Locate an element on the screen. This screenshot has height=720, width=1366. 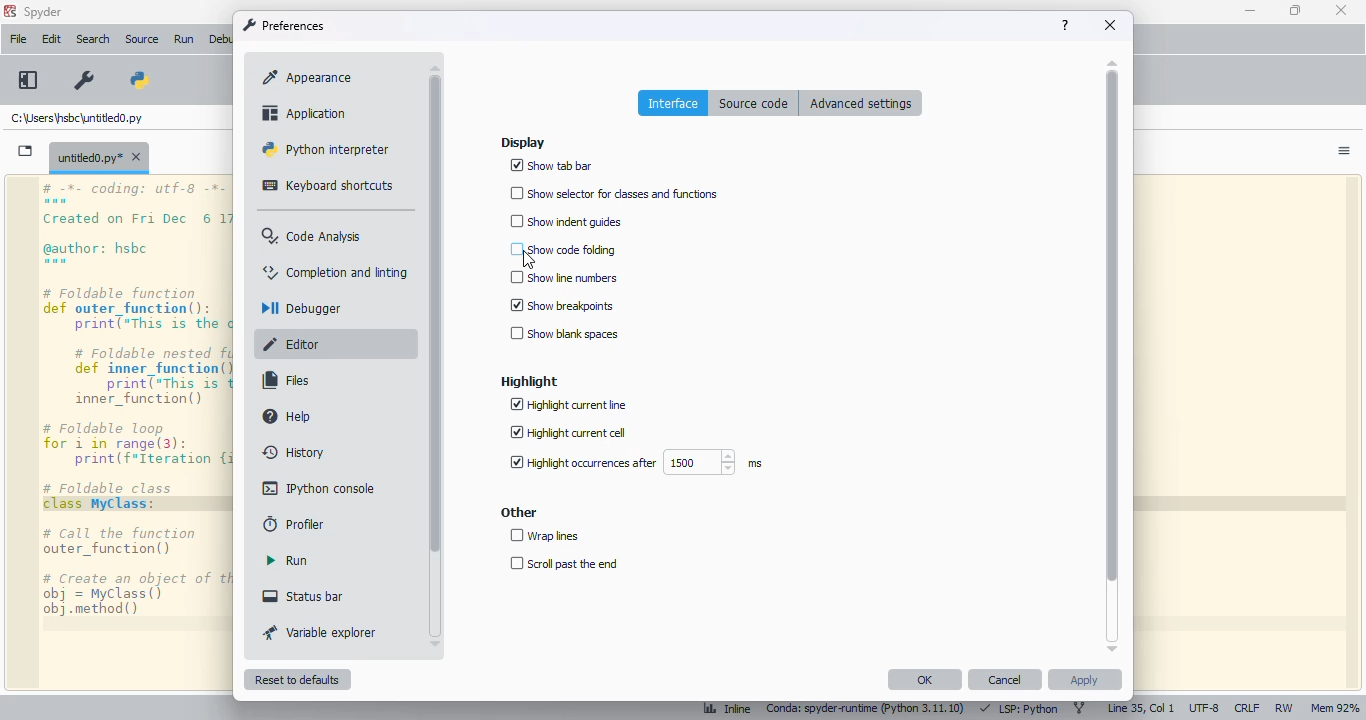
git branch is located at coordinates (1079, 709).